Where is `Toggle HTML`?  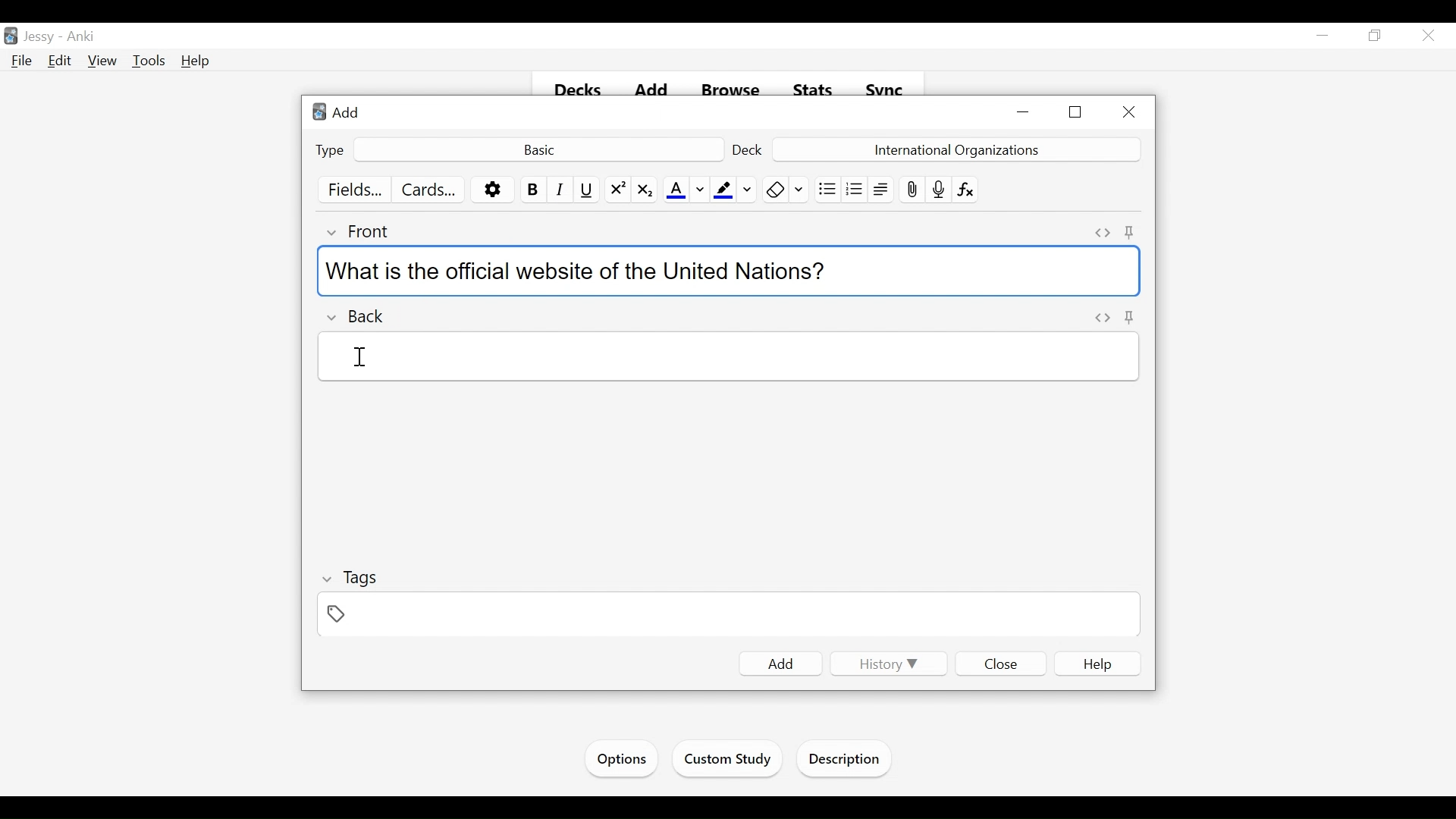
Toggle HTML is located at coordinates (1102, 232).